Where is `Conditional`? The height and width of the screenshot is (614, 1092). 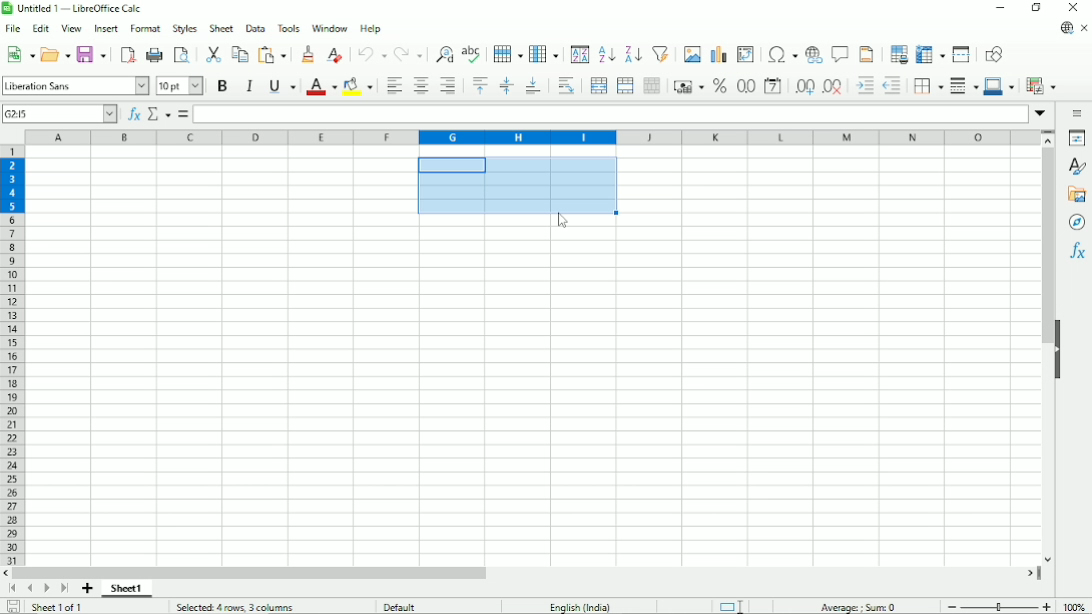 Conditional is located at coordinates (1042, 85).